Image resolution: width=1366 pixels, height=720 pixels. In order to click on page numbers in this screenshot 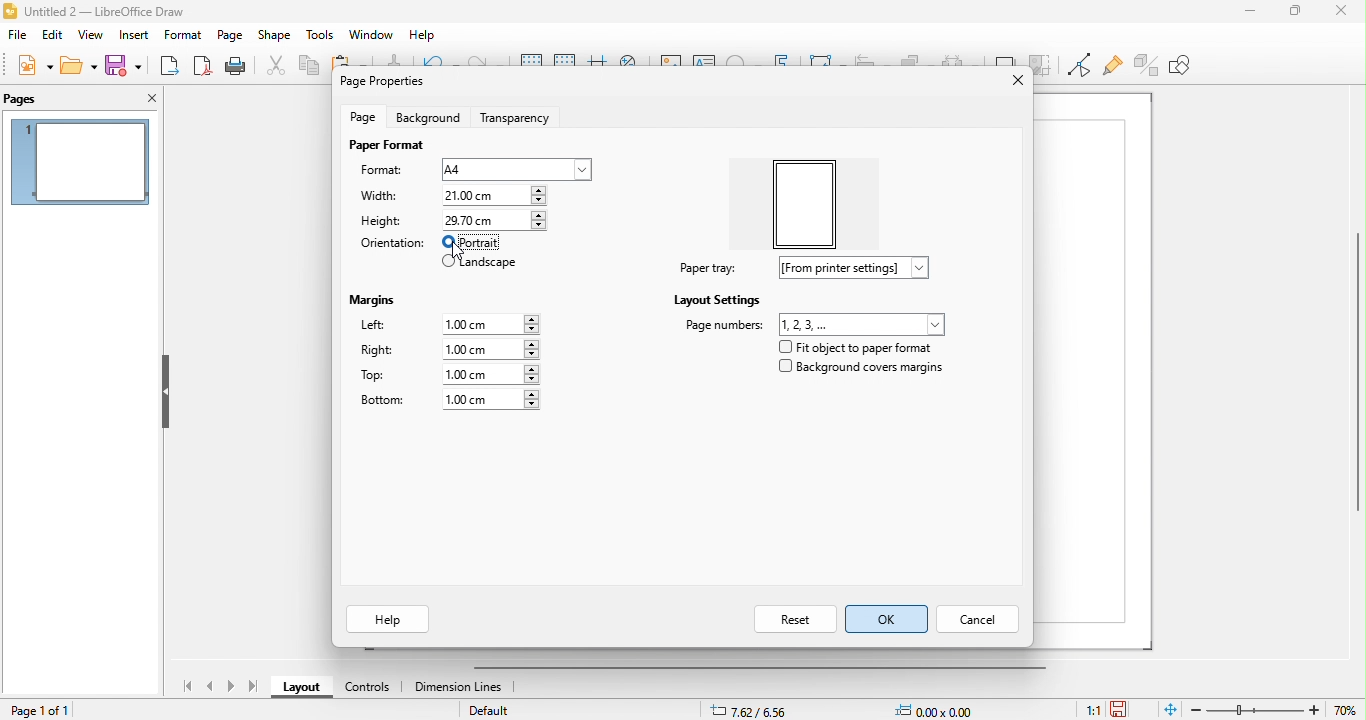, I will do `click(813, 325)`.